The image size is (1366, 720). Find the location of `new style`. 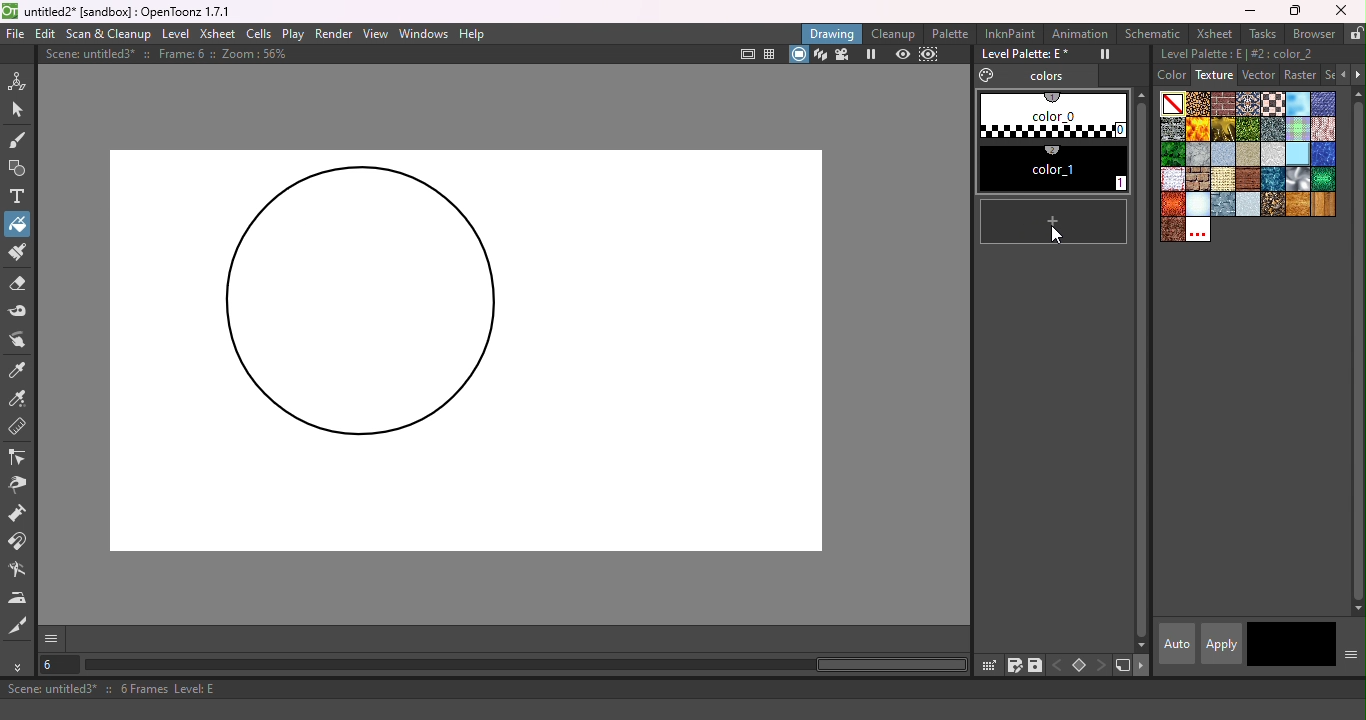

new style is located at coordinates (1055, 223).